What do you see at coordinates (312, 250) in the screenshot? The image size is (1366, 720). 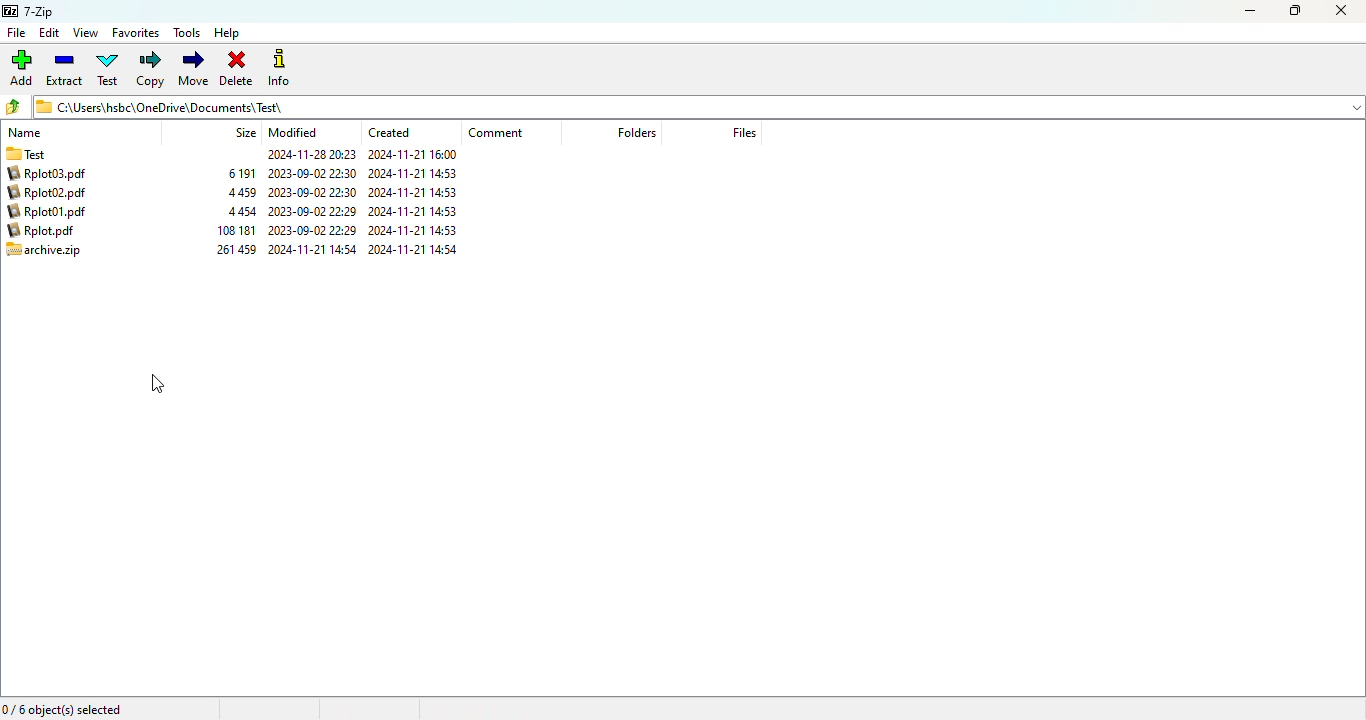 I see `2023-09-02 22:30` at bounding box center [312, 250].